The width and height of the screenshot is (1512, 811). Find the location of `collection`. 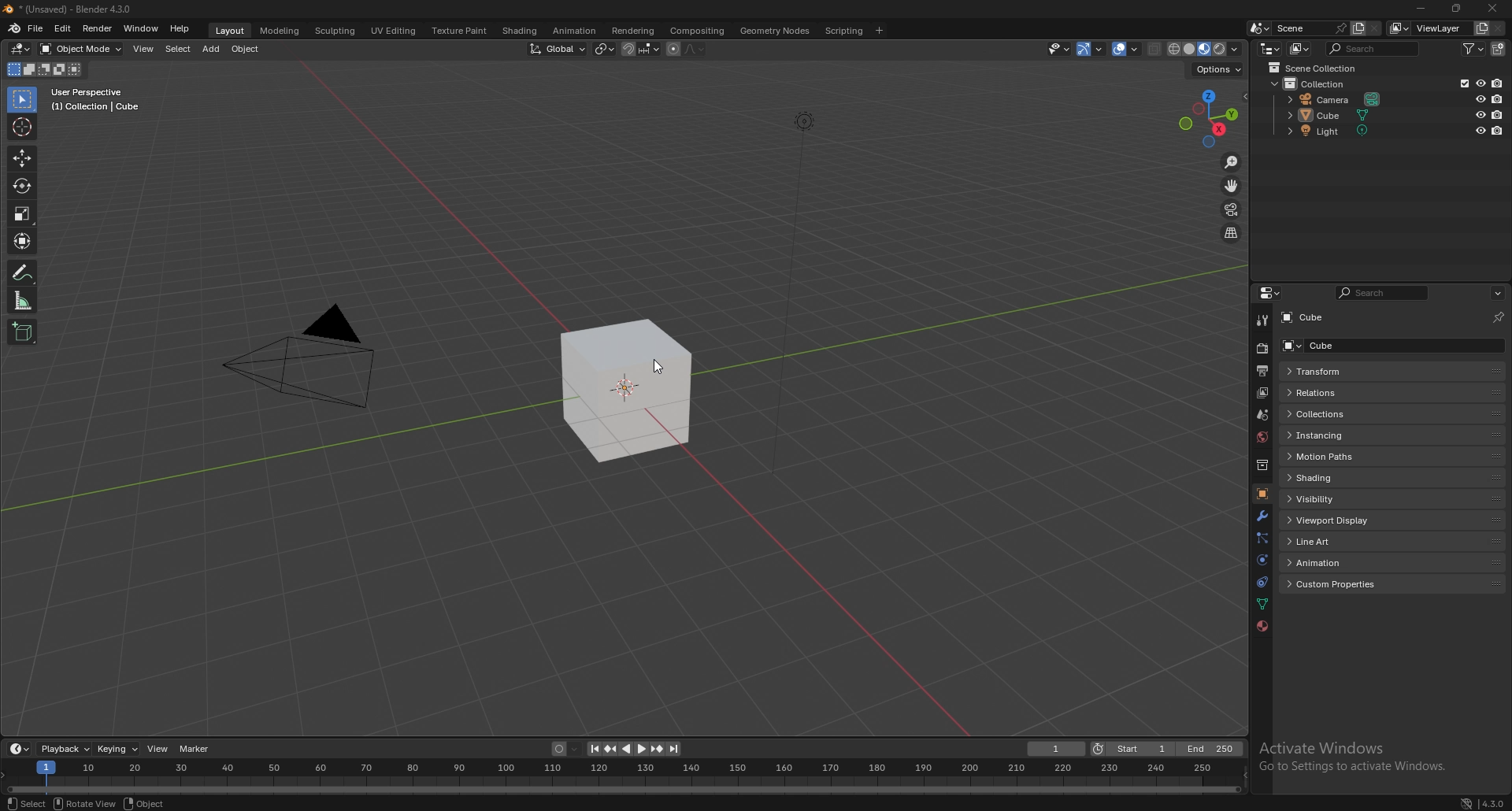

collection is located at coordinates (1310, 83).